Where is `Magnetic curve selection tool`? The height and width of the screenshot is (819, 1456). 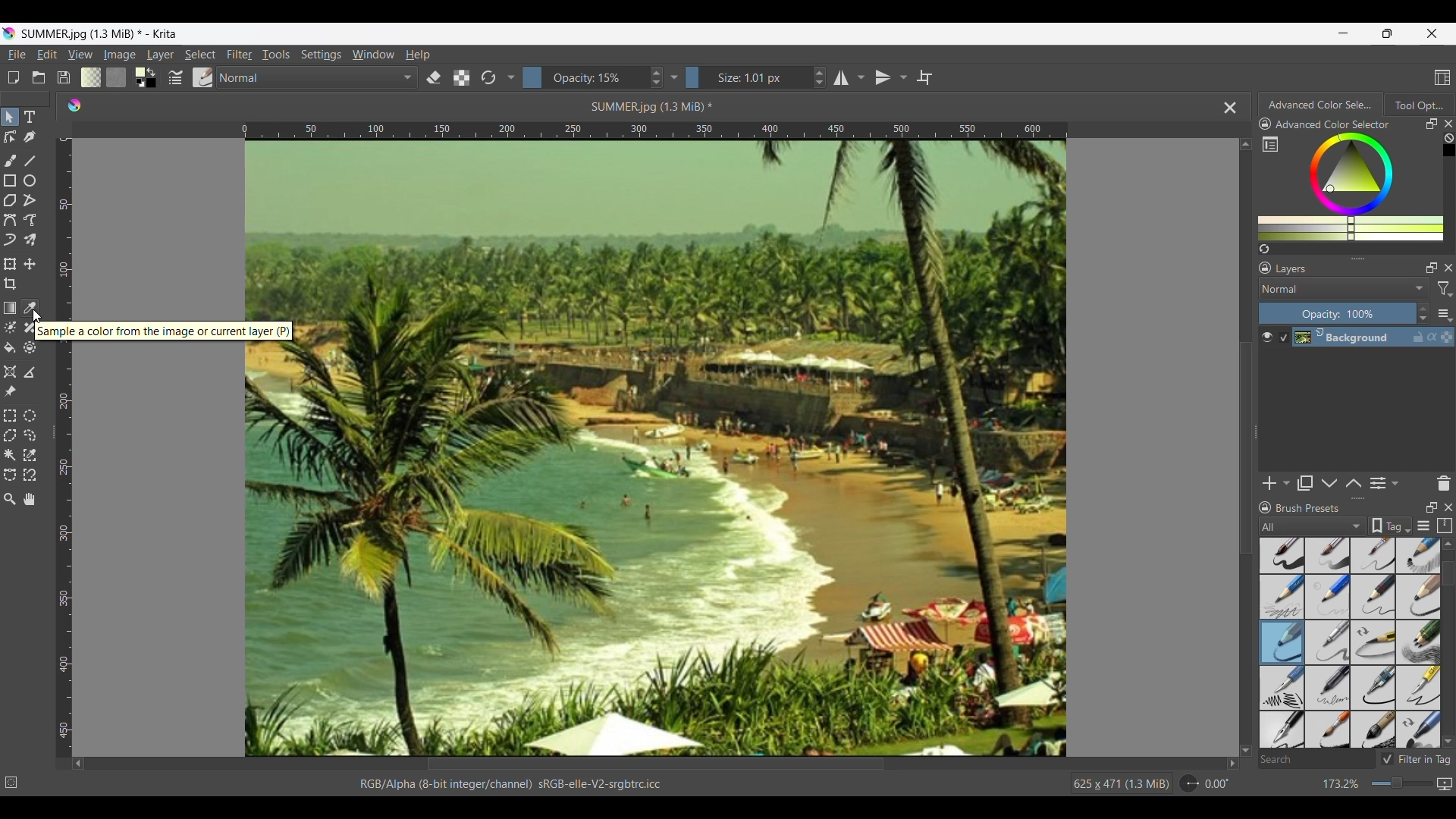 Magnetic curve selection tool is located at coordinates (29, 475).